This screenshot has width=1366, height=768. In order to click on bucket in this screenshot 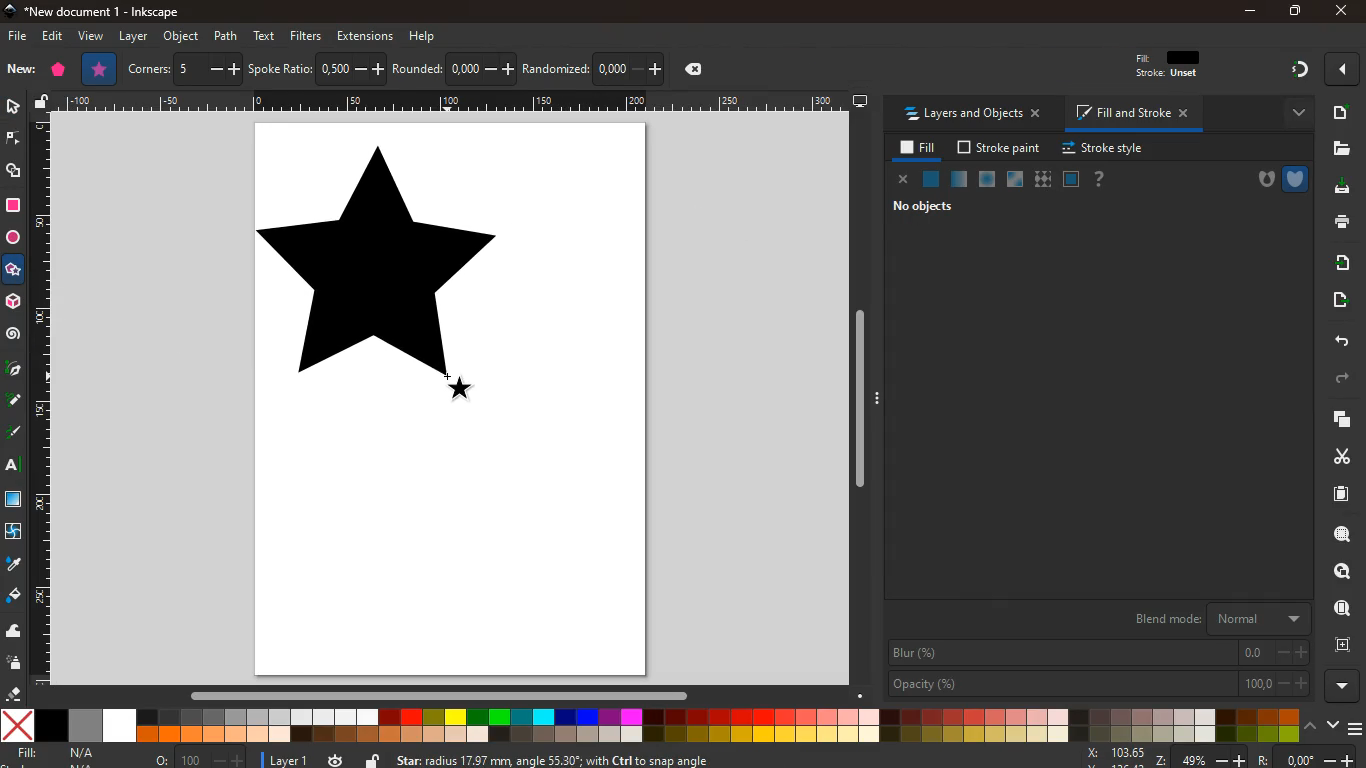, I will do `click(13, 596)`.